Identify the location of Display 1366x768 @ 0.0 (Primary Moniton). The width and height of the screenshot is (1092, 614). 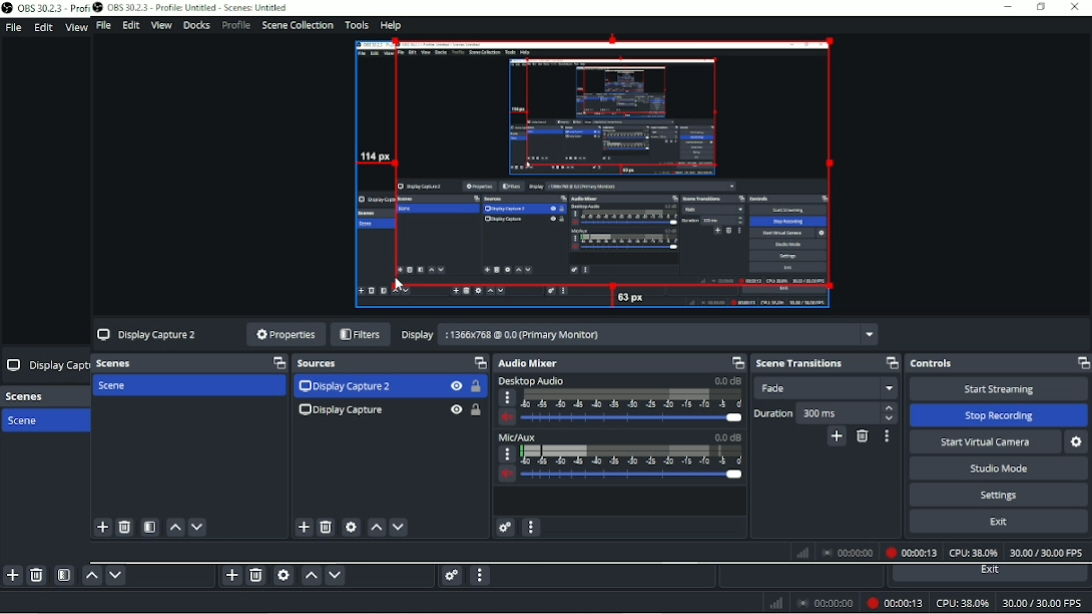
(637, 334).